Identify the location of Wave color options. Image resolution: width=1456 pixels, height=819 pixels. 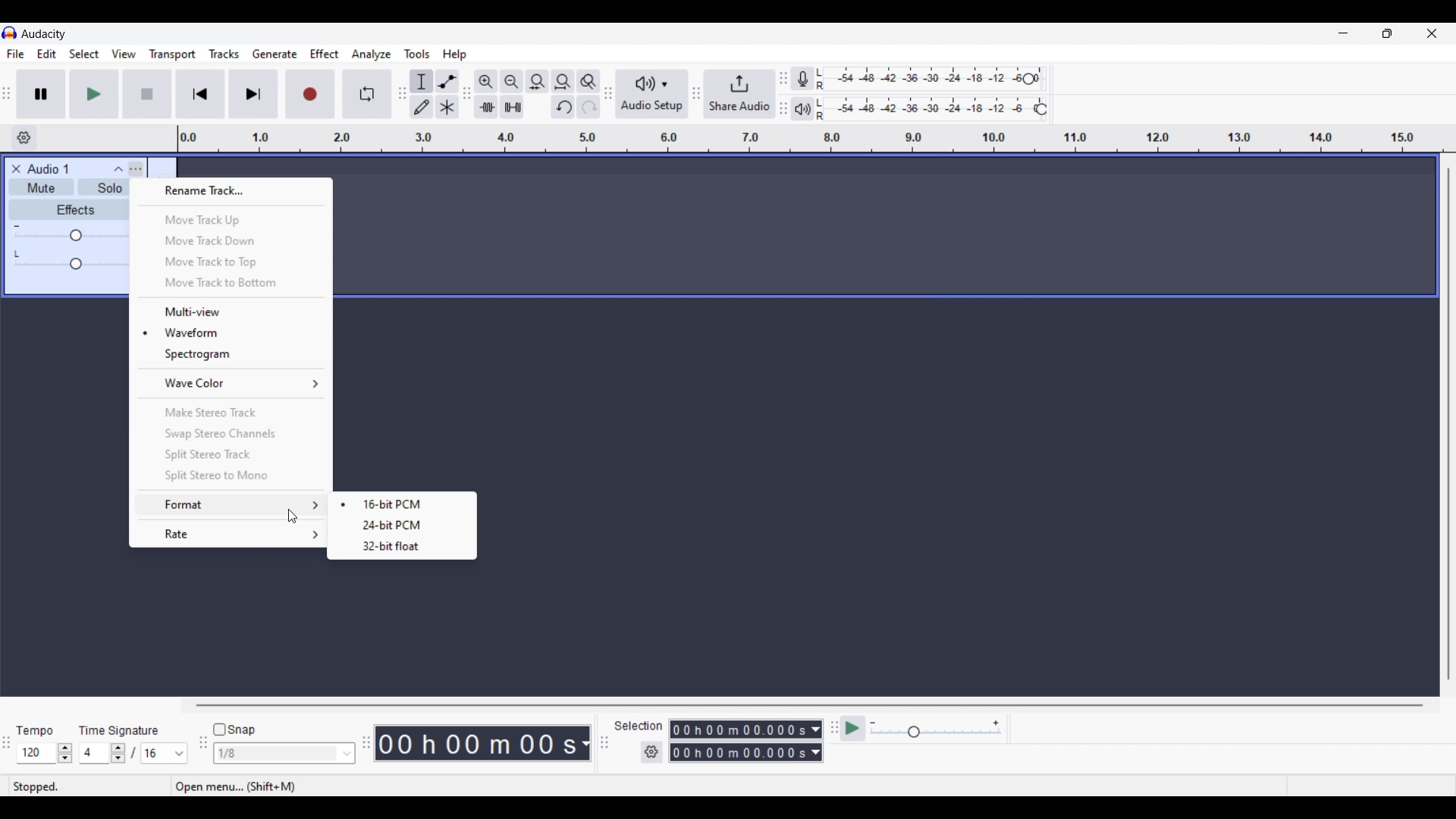
(233, 383).